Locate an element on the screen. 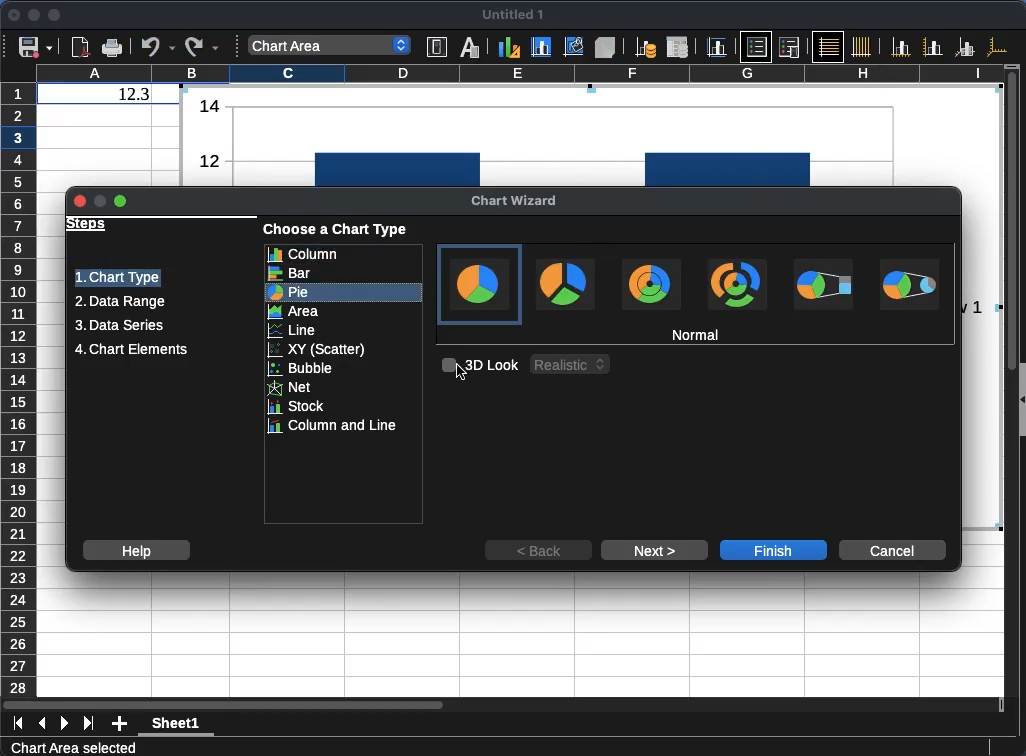 The image size is (1026, 756). Horizontal slide bar is located at coordinates (223, 704).